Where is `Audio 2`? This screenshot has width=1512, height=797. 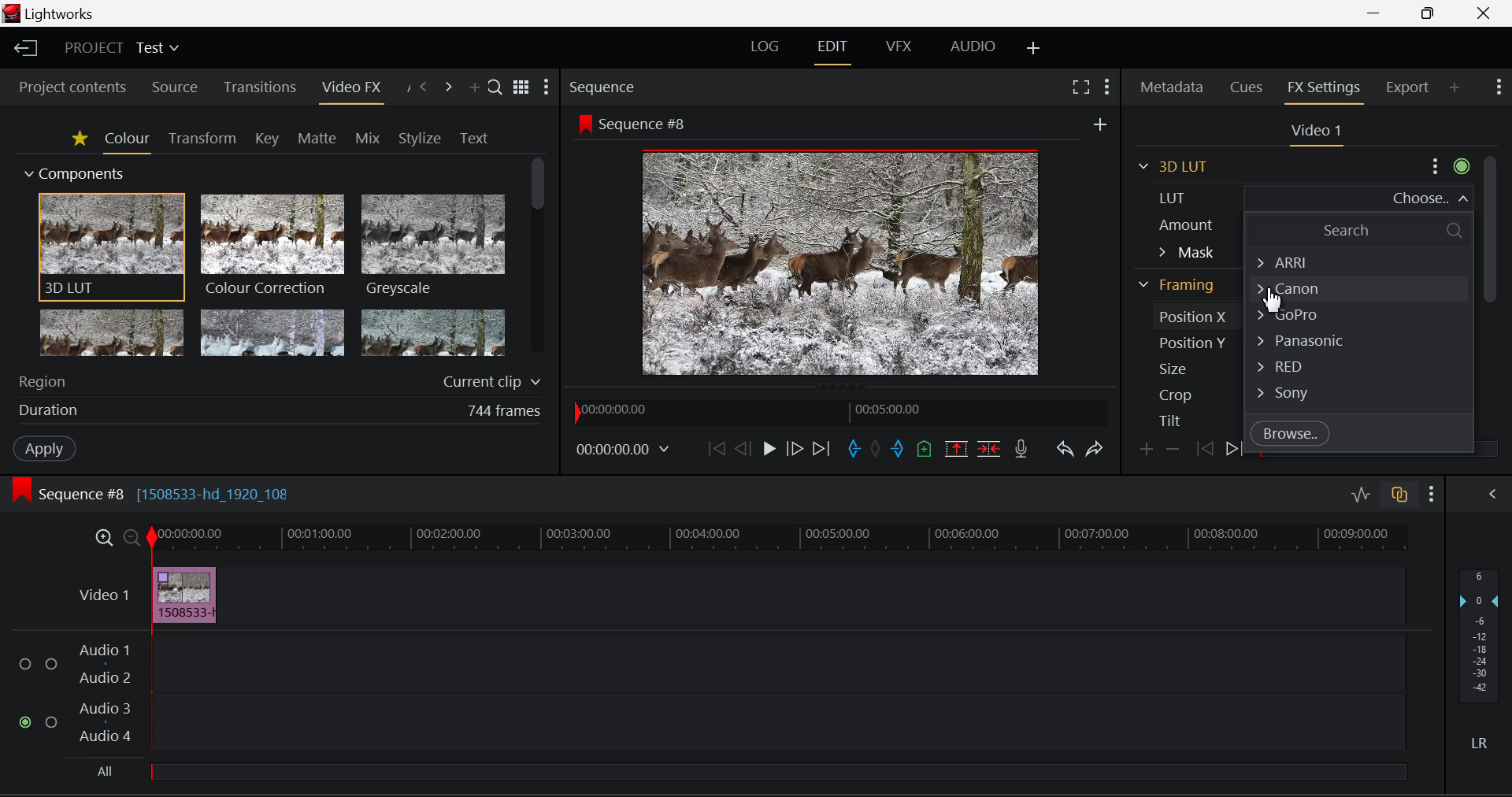 Audio 2 is located at coordinates (107, 679).